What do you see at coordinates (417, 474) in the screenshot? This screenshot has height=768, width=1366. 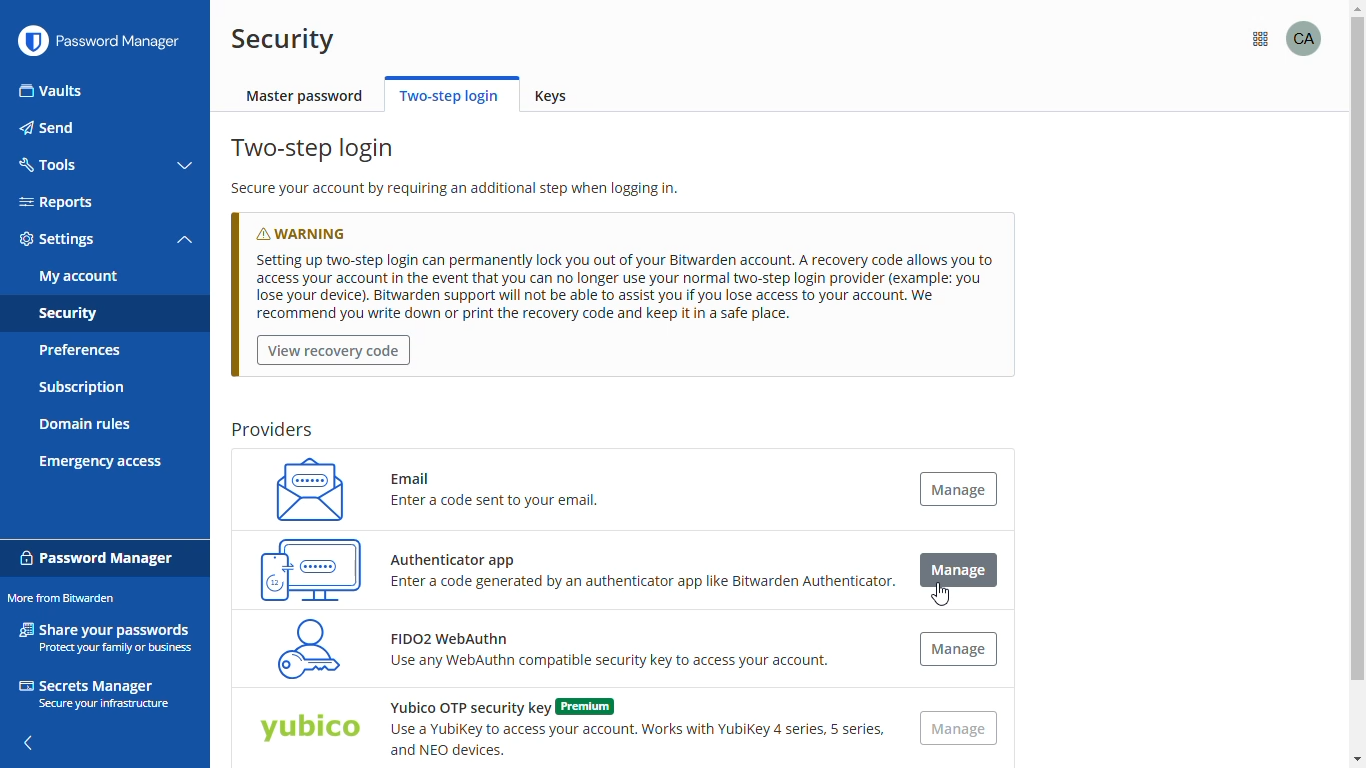 I see `Email` at bounding box center [417, 474].